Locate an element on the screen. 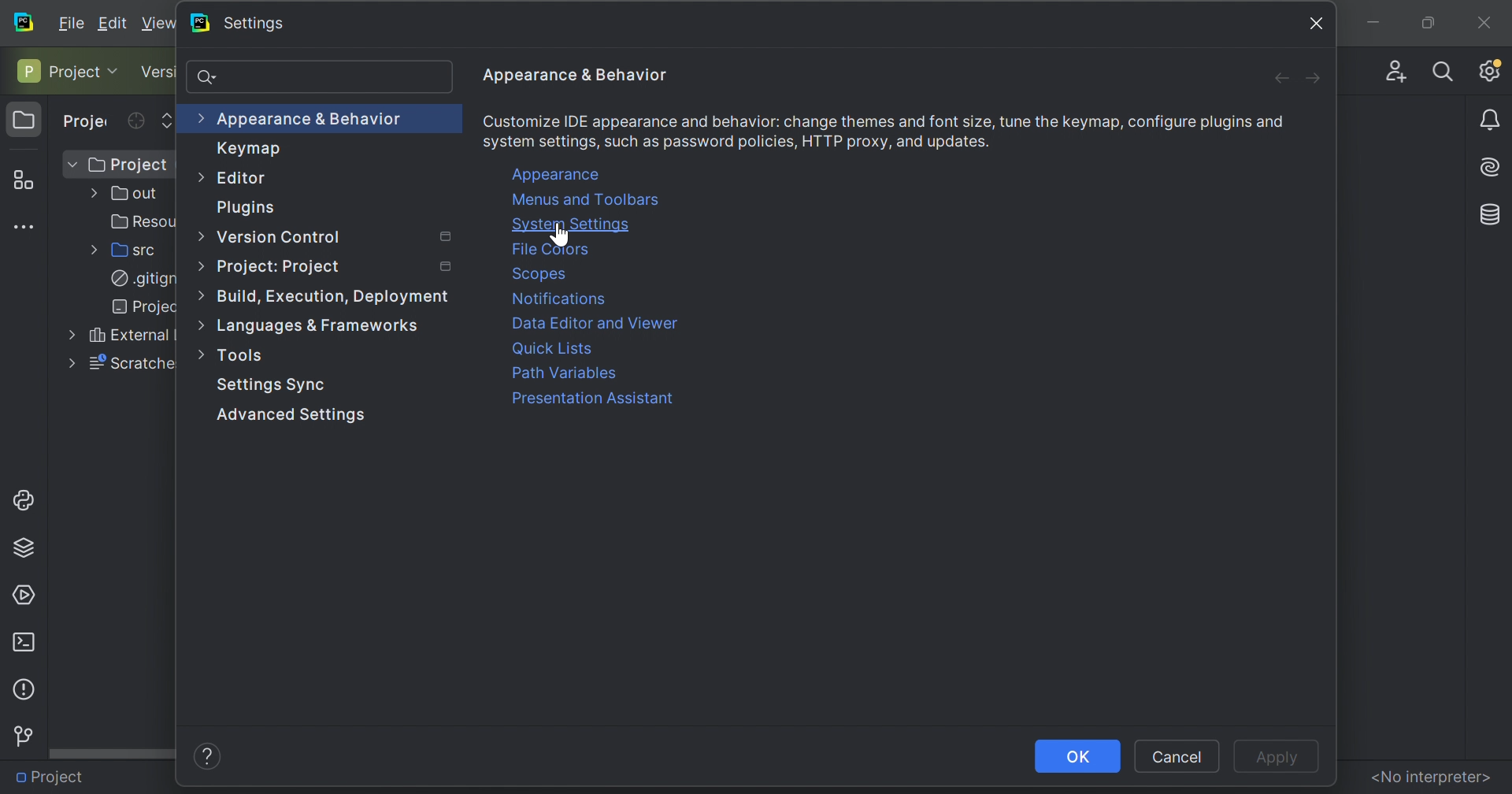 This screenshot has width=1512, height=794. Appearance & Behavior is located at coordinates (576, 75).